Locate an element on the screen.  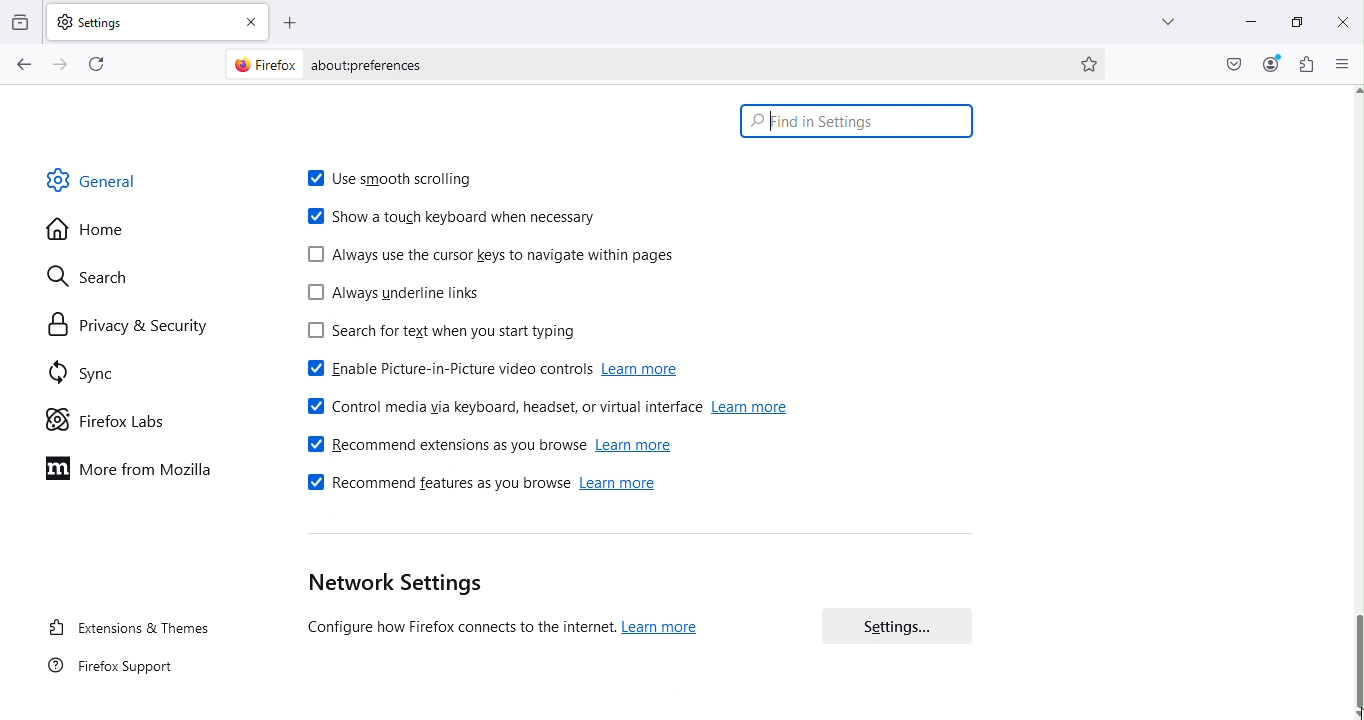
learn more is located at coordinates (621, 487).